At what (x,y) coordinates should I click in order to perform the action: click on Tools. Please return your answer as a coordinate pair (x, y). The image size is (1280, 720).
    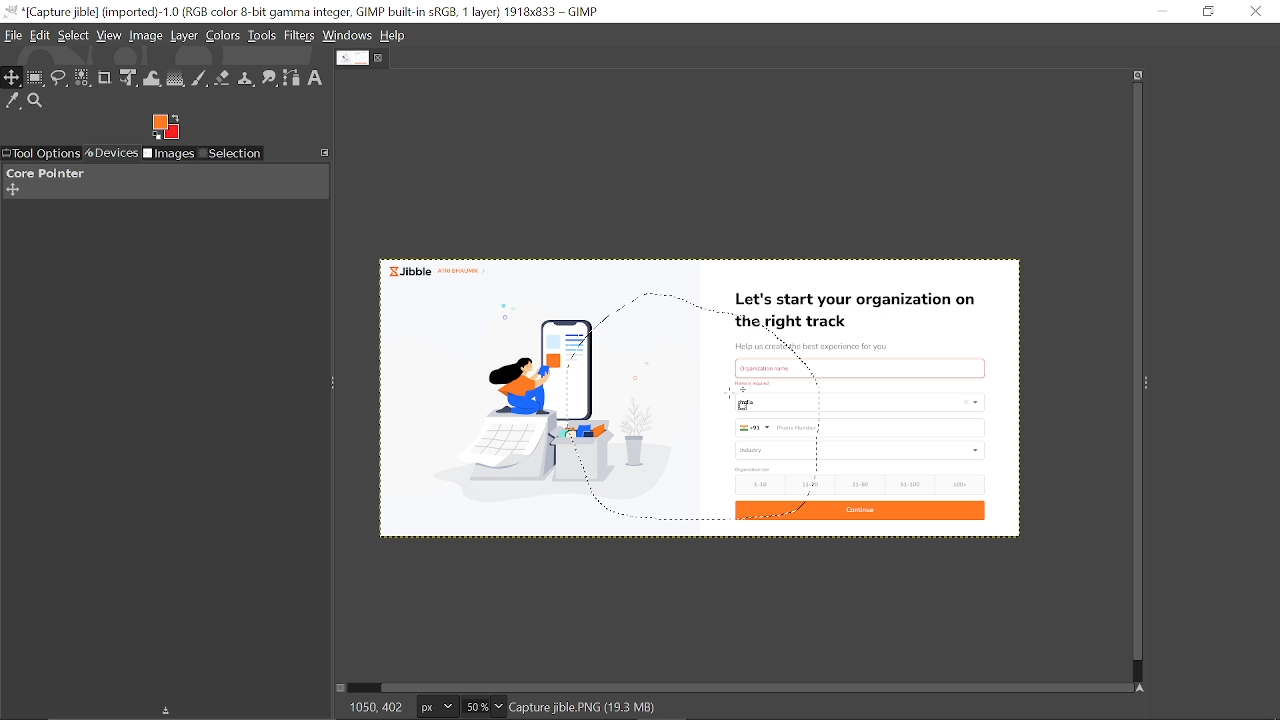
    Looking at the image, I should click on (262, 35).